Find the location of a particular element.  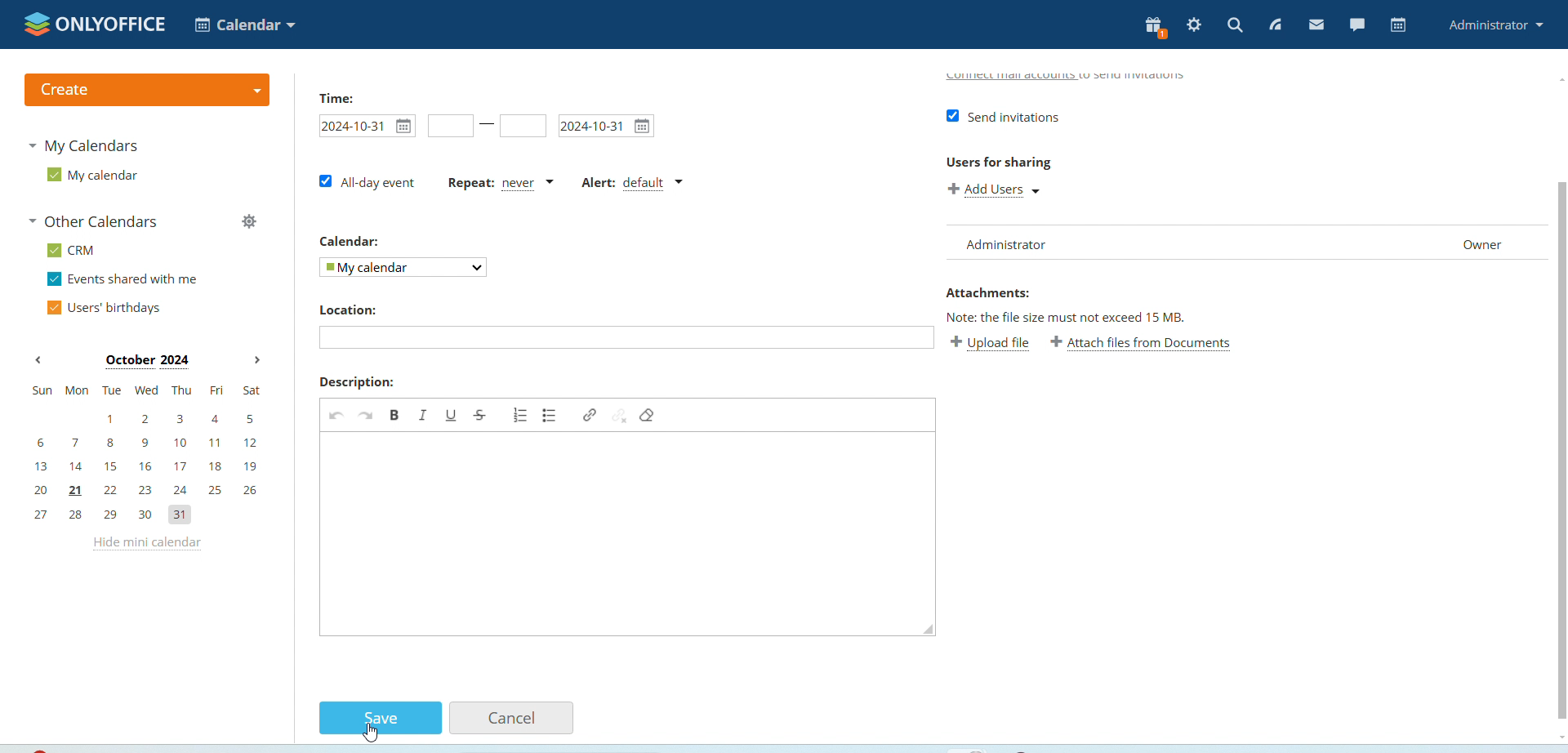

Insert or remove bulleted list is located at coordinates (551, 416).